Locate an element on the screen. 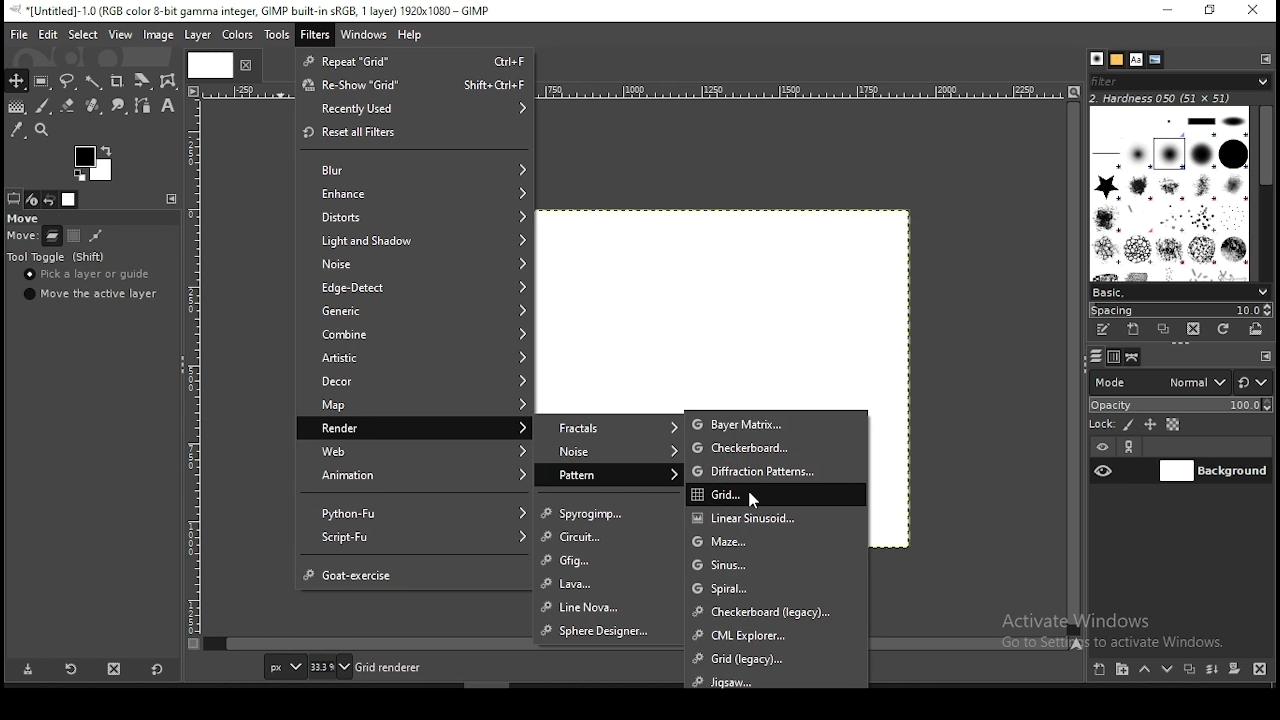 This screenshot has width=1280, height=720. colors is located at coordinates (236, 36).